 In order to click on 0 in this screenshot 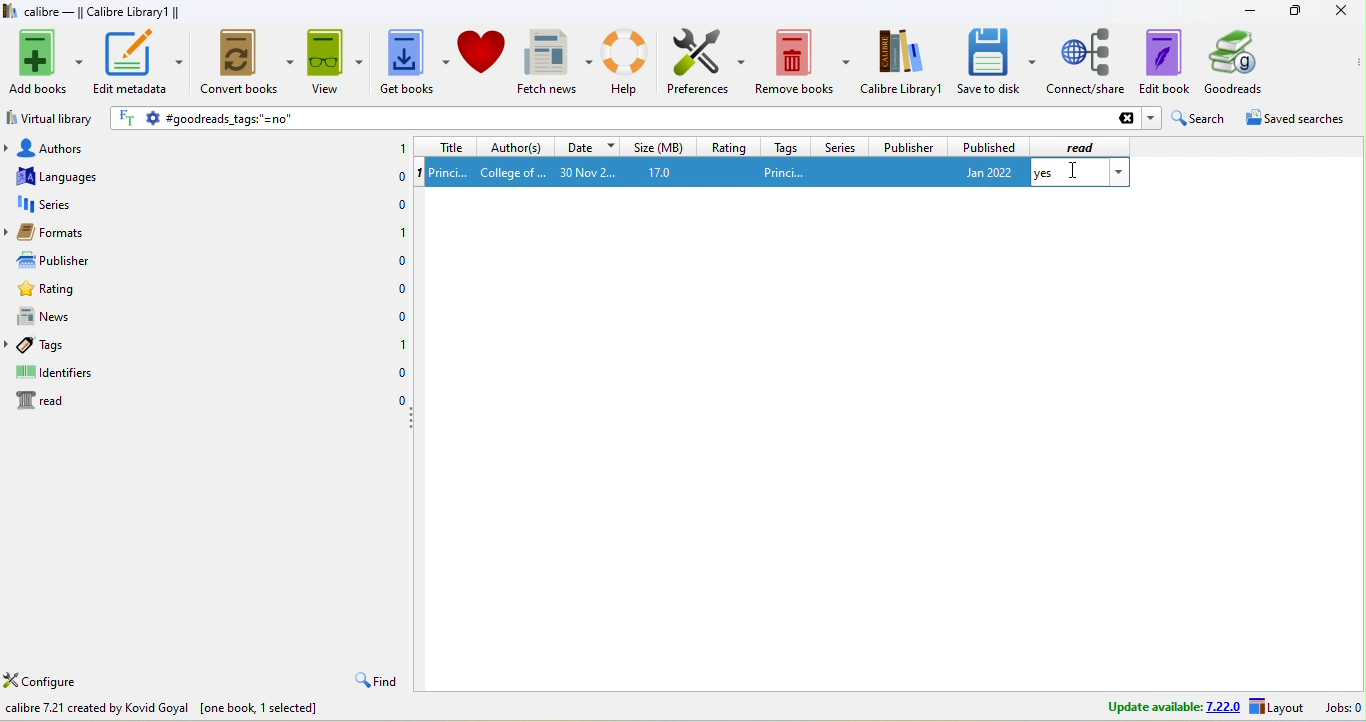, I will do `click(400, 371)`.